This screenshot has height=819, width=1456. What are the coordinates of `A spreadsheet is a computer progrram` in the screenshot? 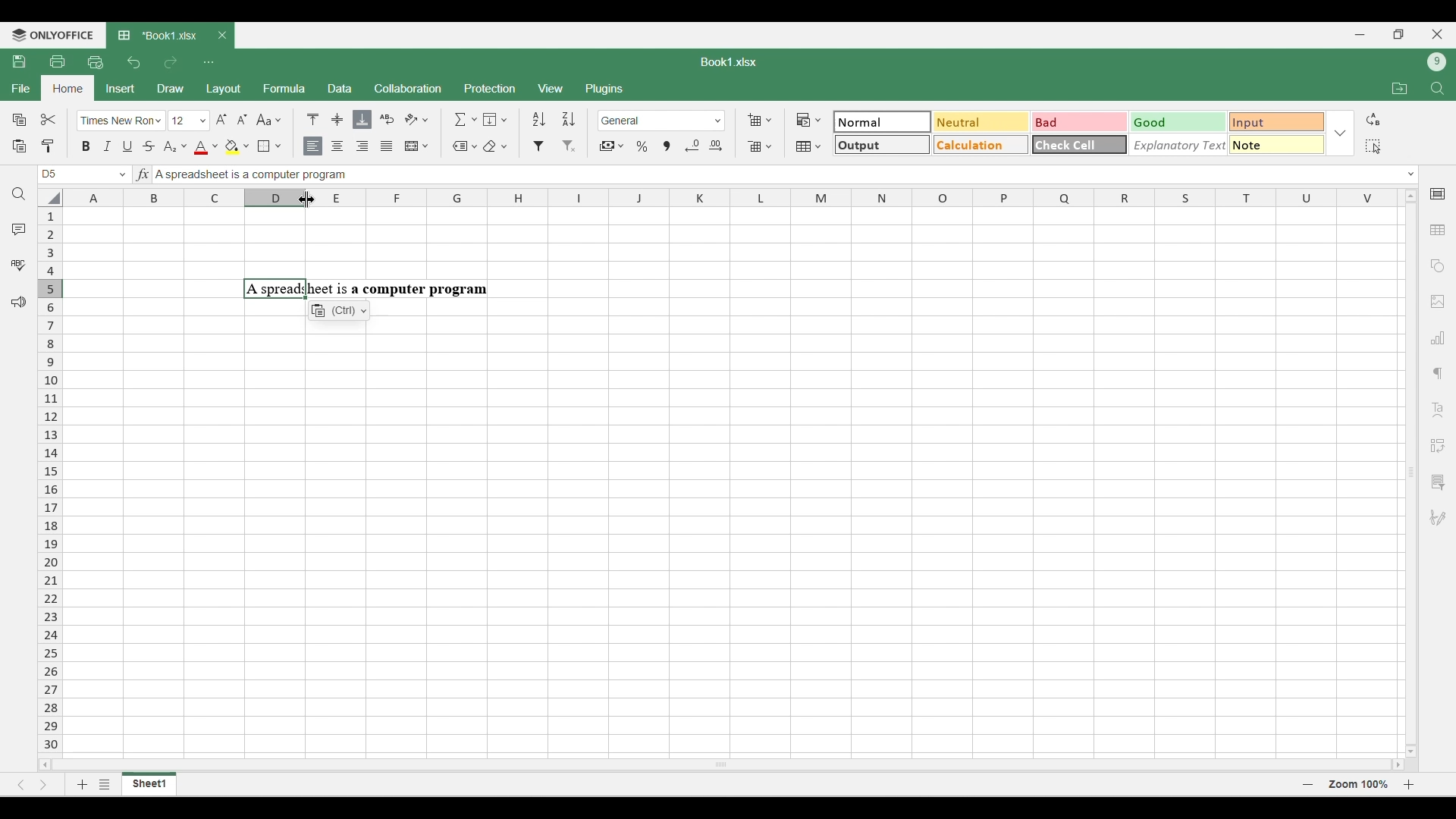 It's located at (366, 289).